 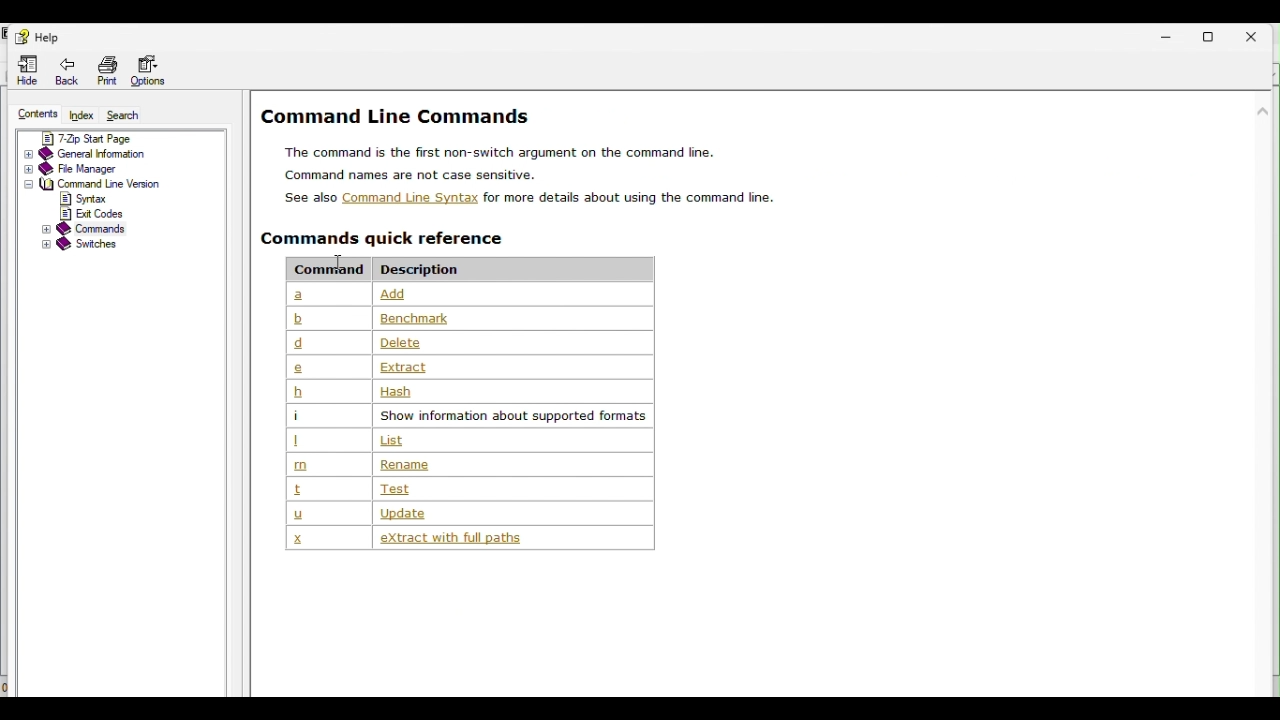 I want to click on text, so click(x=634, y=198).